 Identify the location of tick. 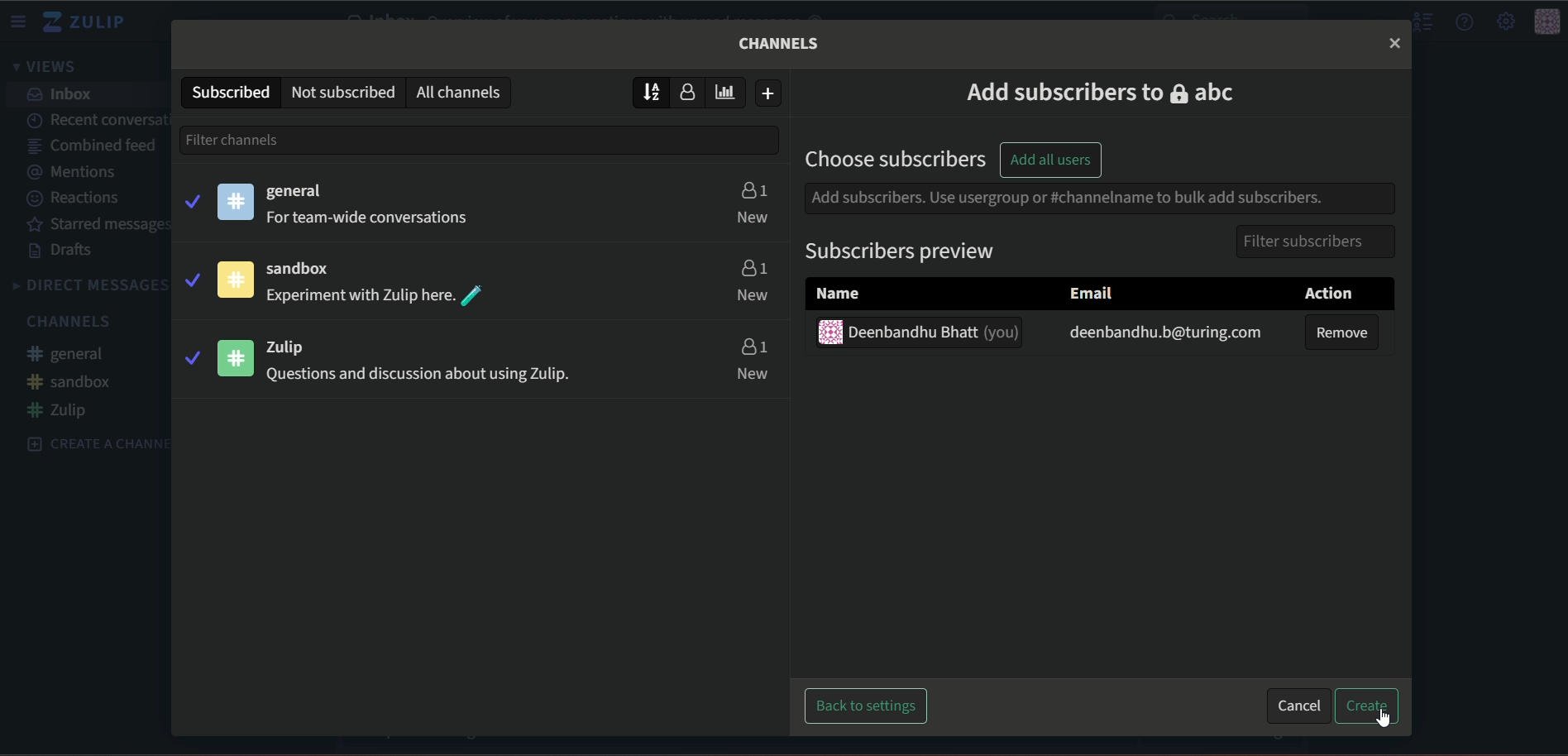
(190, 278).